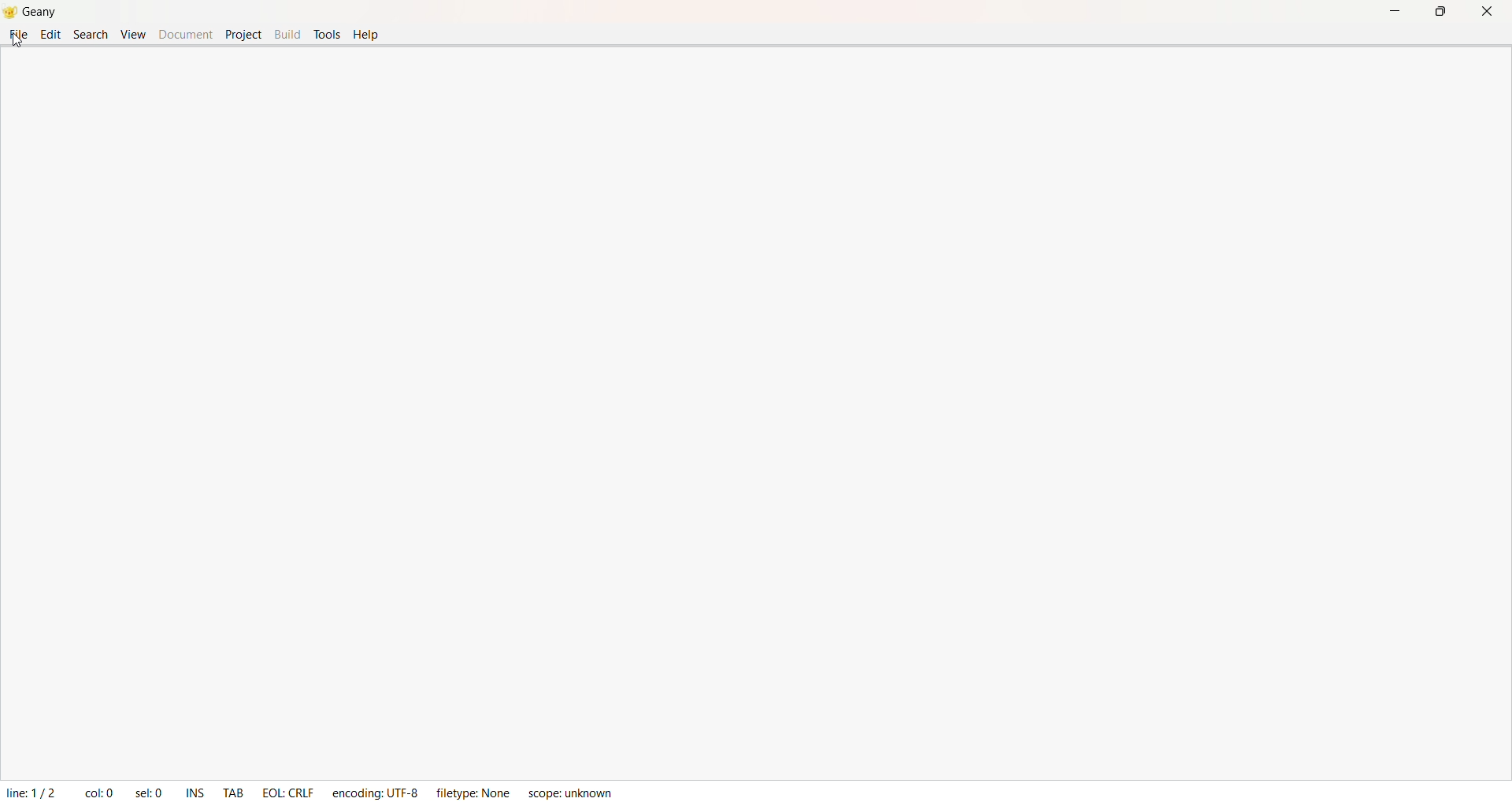  I want to click on Minimize, so click(1392, 12).